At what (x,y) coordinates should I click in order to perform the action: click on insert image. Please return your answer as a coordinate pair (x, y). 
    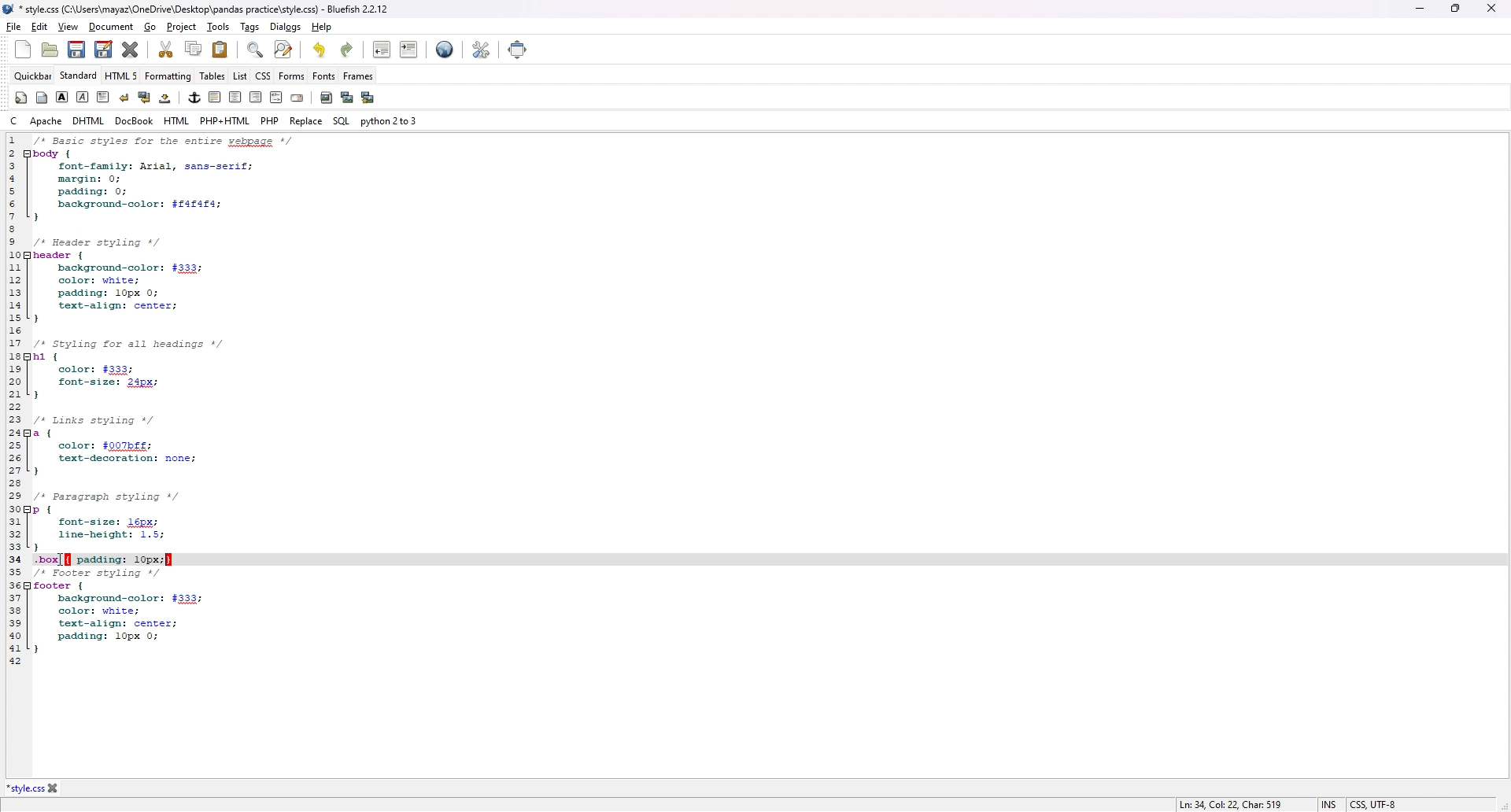
    Looking at the image, I should click on (327, 98).